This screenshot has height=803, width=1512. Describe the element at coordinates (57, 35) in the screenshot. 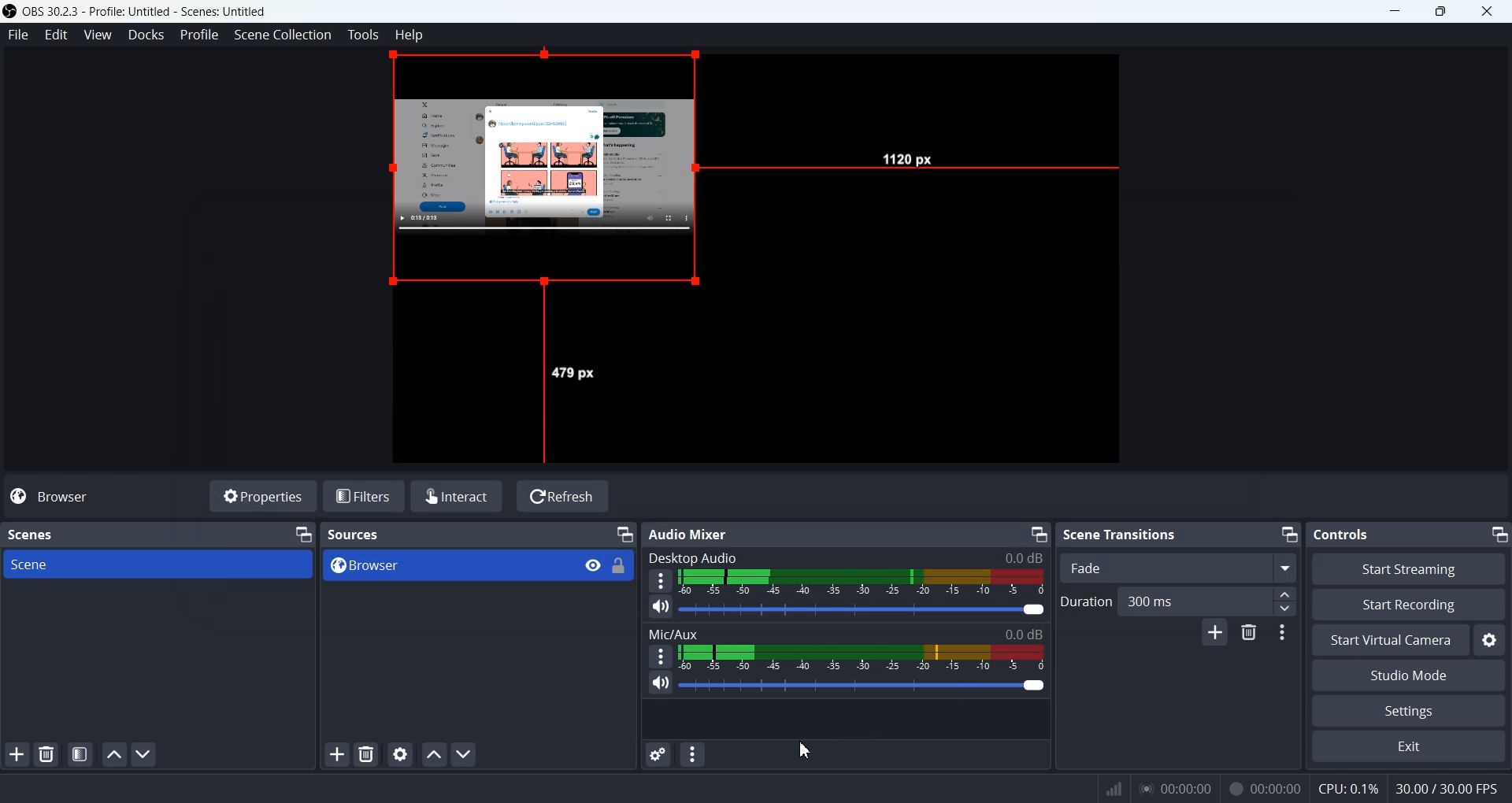

I see `Edit` at that location.